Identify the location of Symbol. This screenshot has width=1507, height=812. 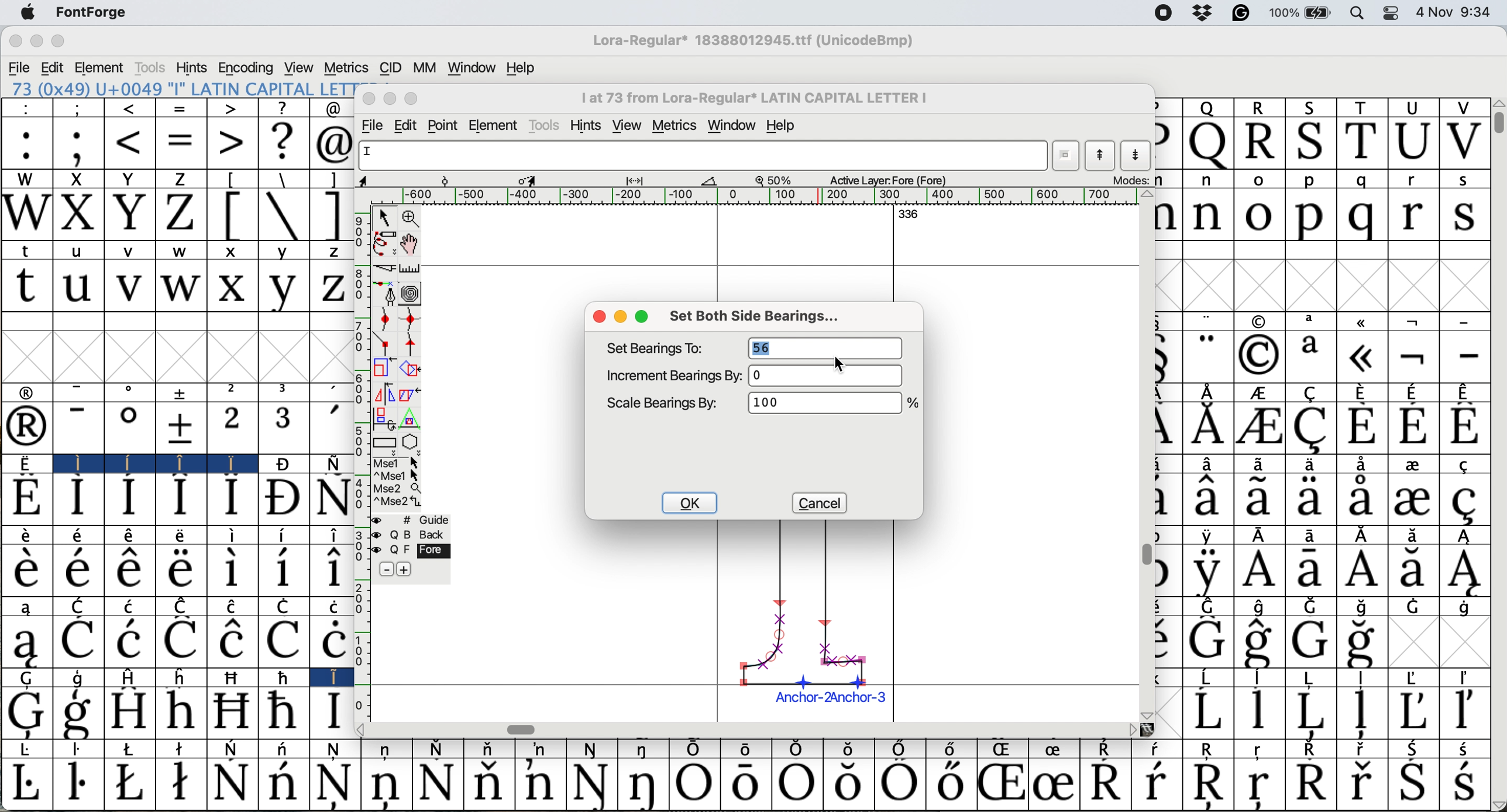
(694, 750).